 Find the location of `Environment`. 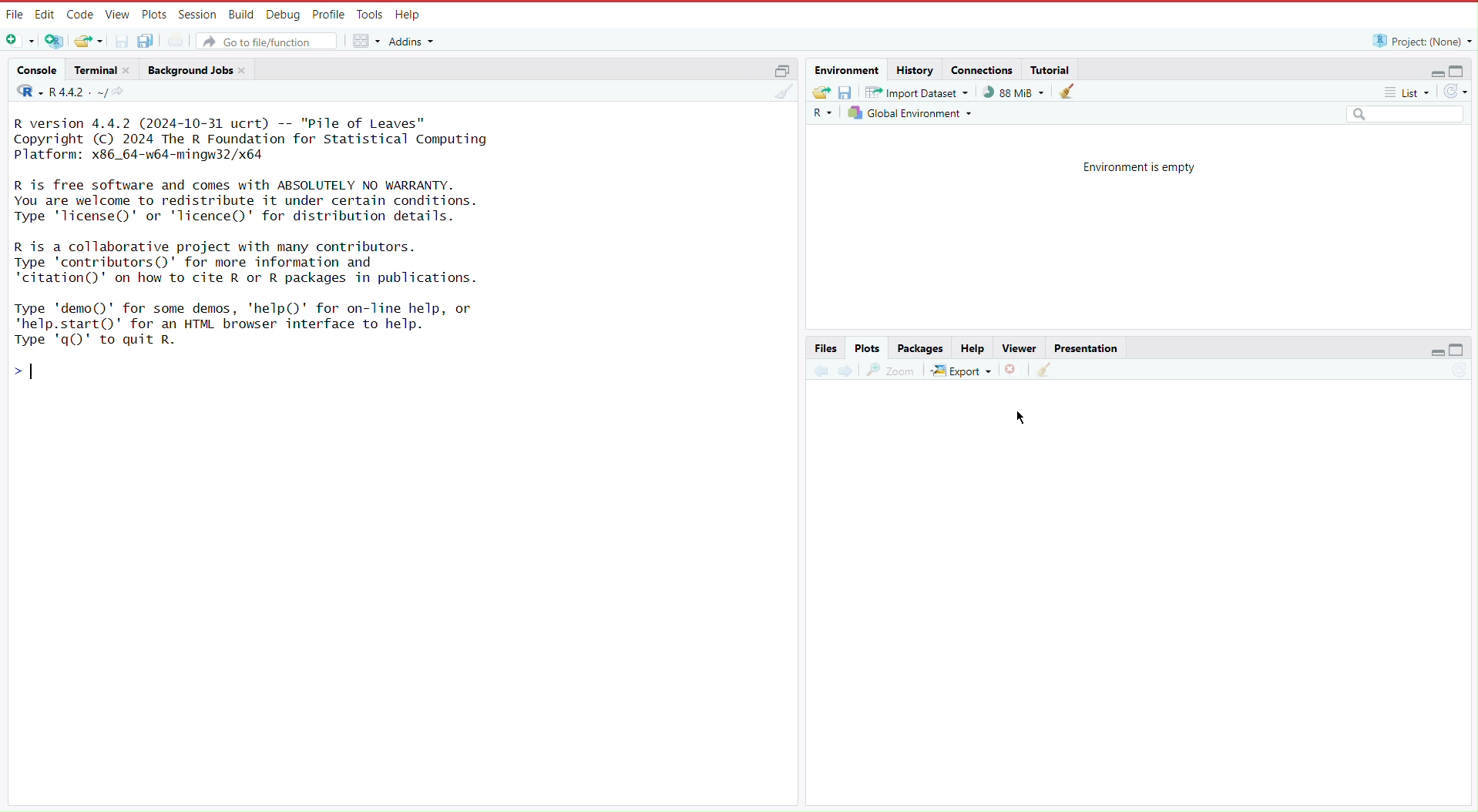

Environment is located at coordinates (849, 70).